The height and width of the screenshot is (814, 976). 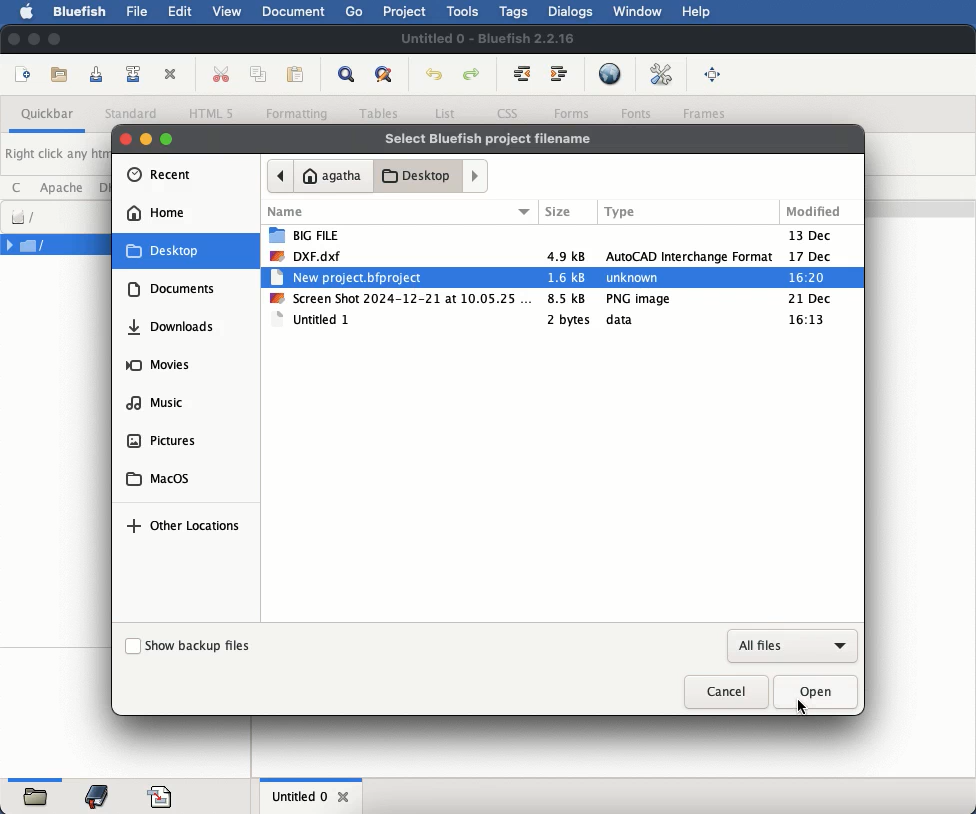 I want to click on back, so click(x=278, y=176).